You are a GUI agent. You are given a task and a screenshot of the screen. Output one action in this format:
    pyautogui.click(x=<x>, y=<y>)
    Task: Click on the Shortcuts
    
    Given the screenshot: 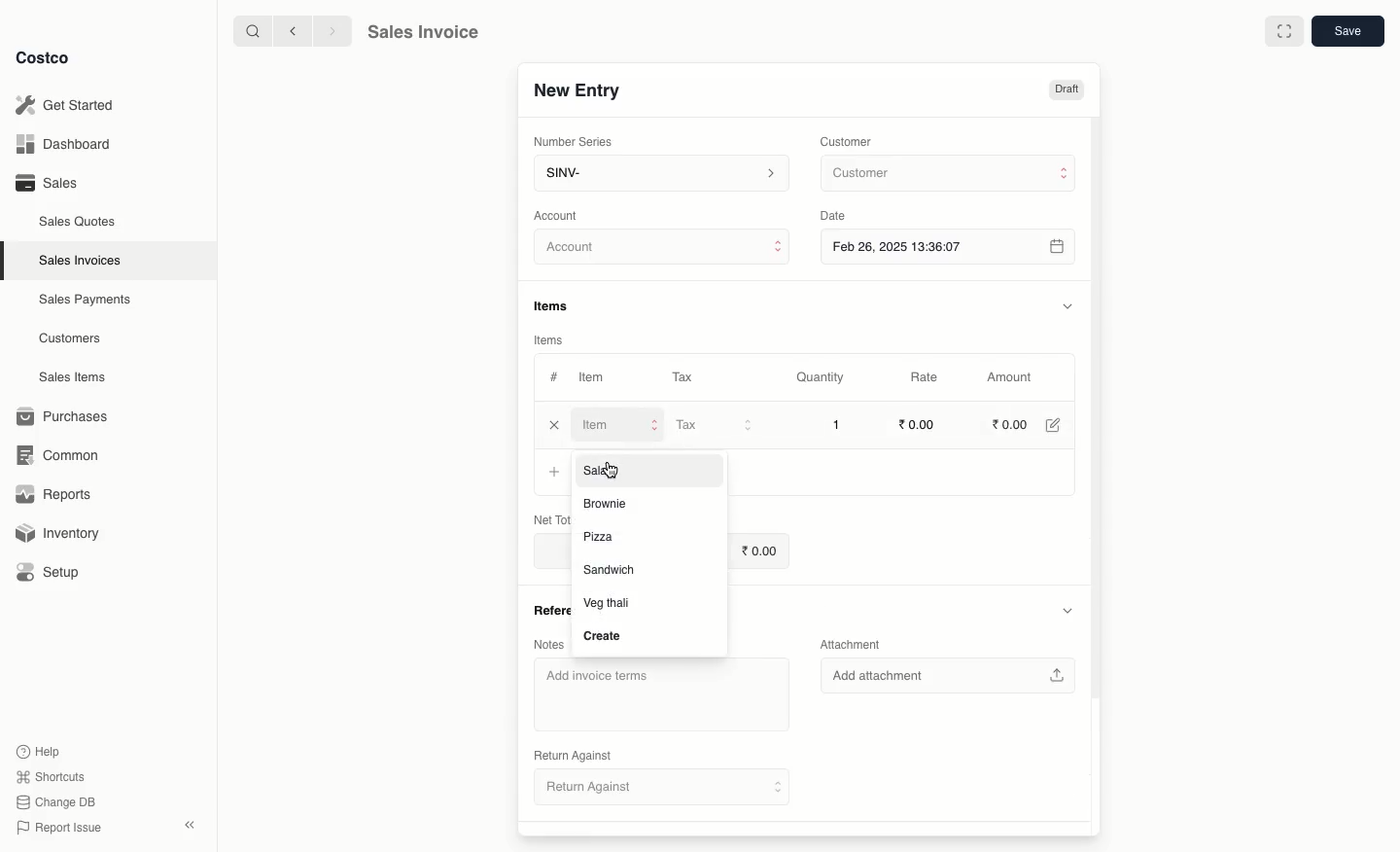 What is the action you would take?
    pyautogui.click(x=50, y=777)
    